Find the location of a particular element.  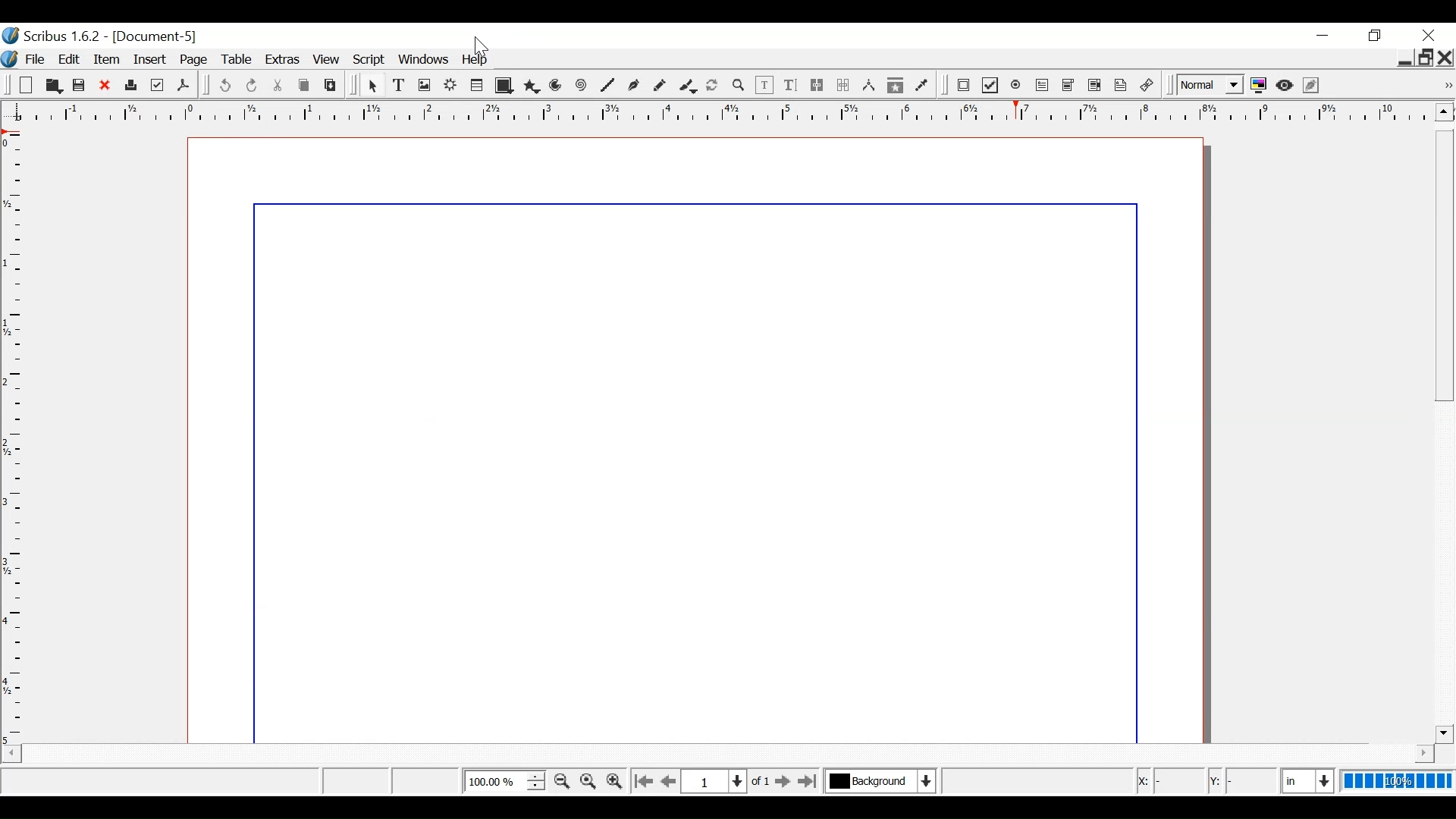

Shape is located at coordinates (502, 86).